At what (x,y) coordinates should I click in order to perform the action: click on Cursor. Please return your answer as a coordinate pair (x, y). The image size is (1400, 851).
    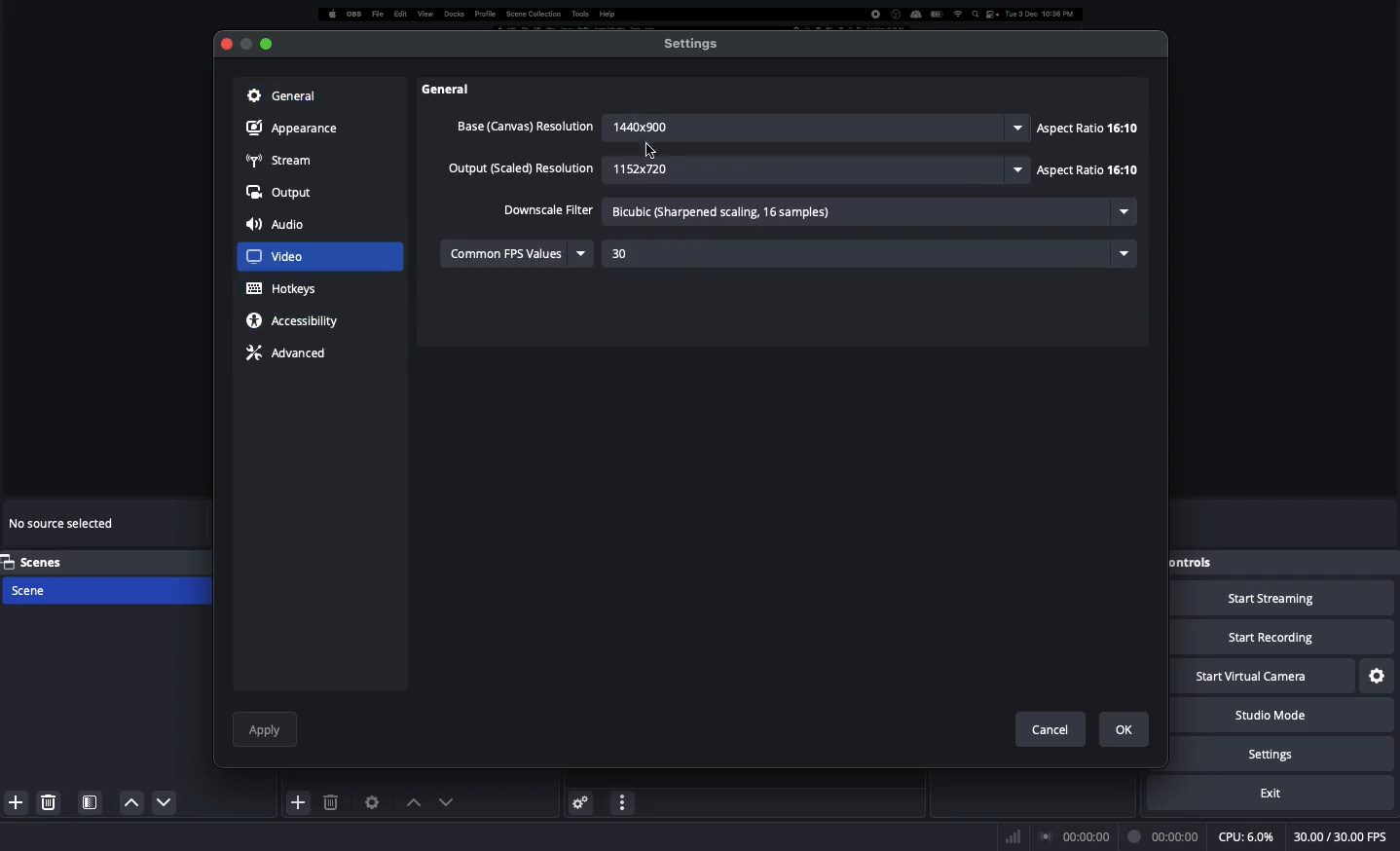
    Looking at the image, I should click on (666, 154).